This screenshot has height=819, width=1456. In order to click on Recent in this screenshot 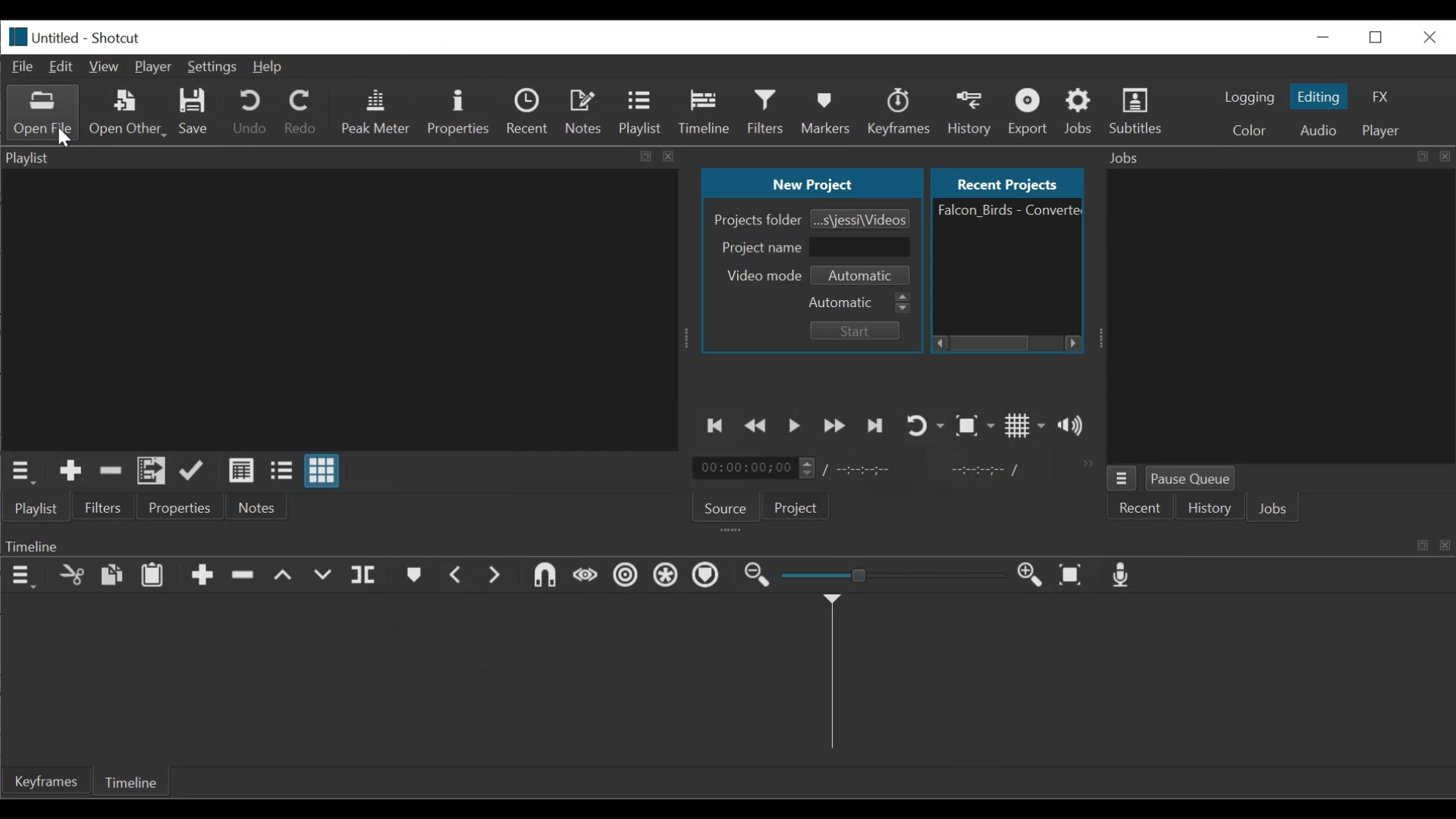, I will do `click(524, 111)`.